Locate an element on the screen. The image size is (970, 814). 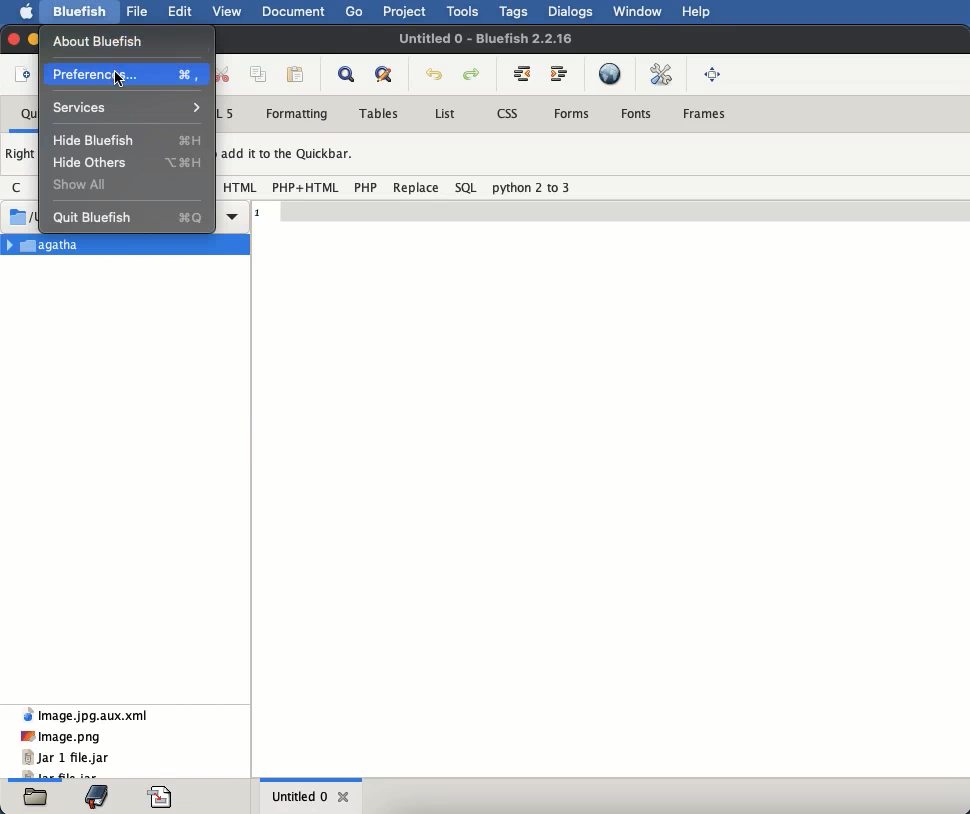
html 5 is located at coordinates (227, 109).